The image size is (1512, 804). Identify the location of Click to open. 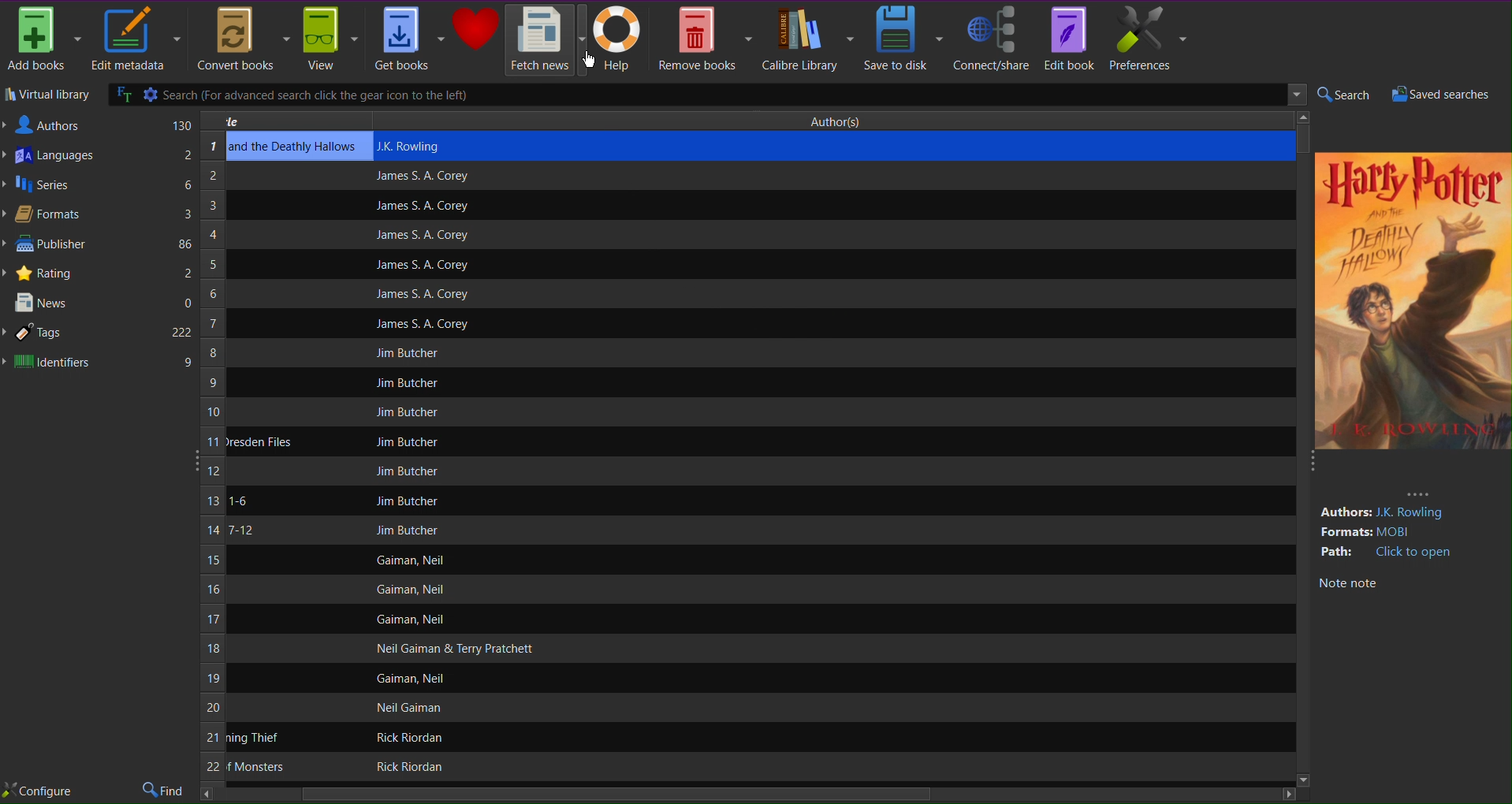
(1415, 553).